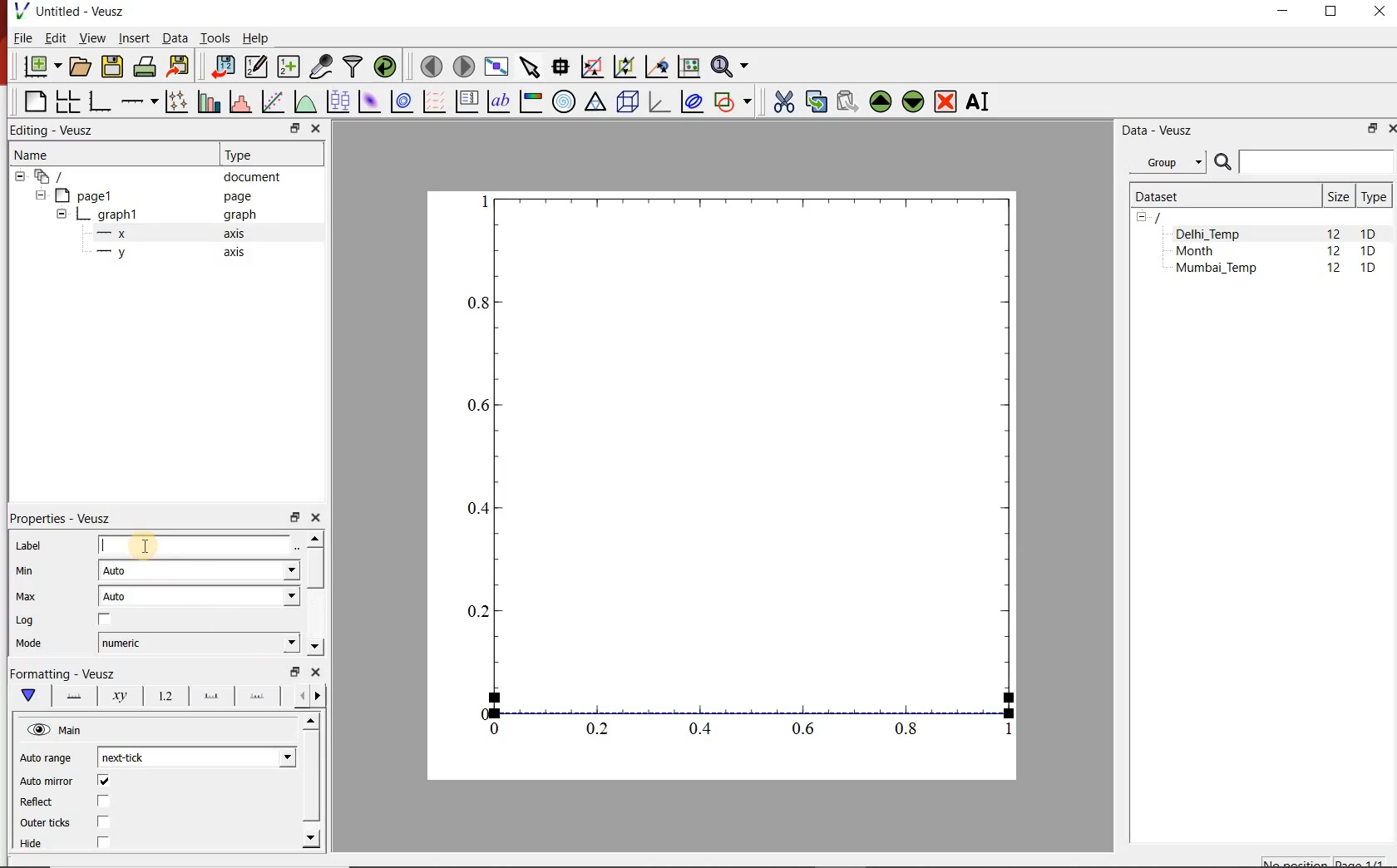  Describe the element at coordinates (313, 782) in the screenshot. I see `scrollbar` at that location.